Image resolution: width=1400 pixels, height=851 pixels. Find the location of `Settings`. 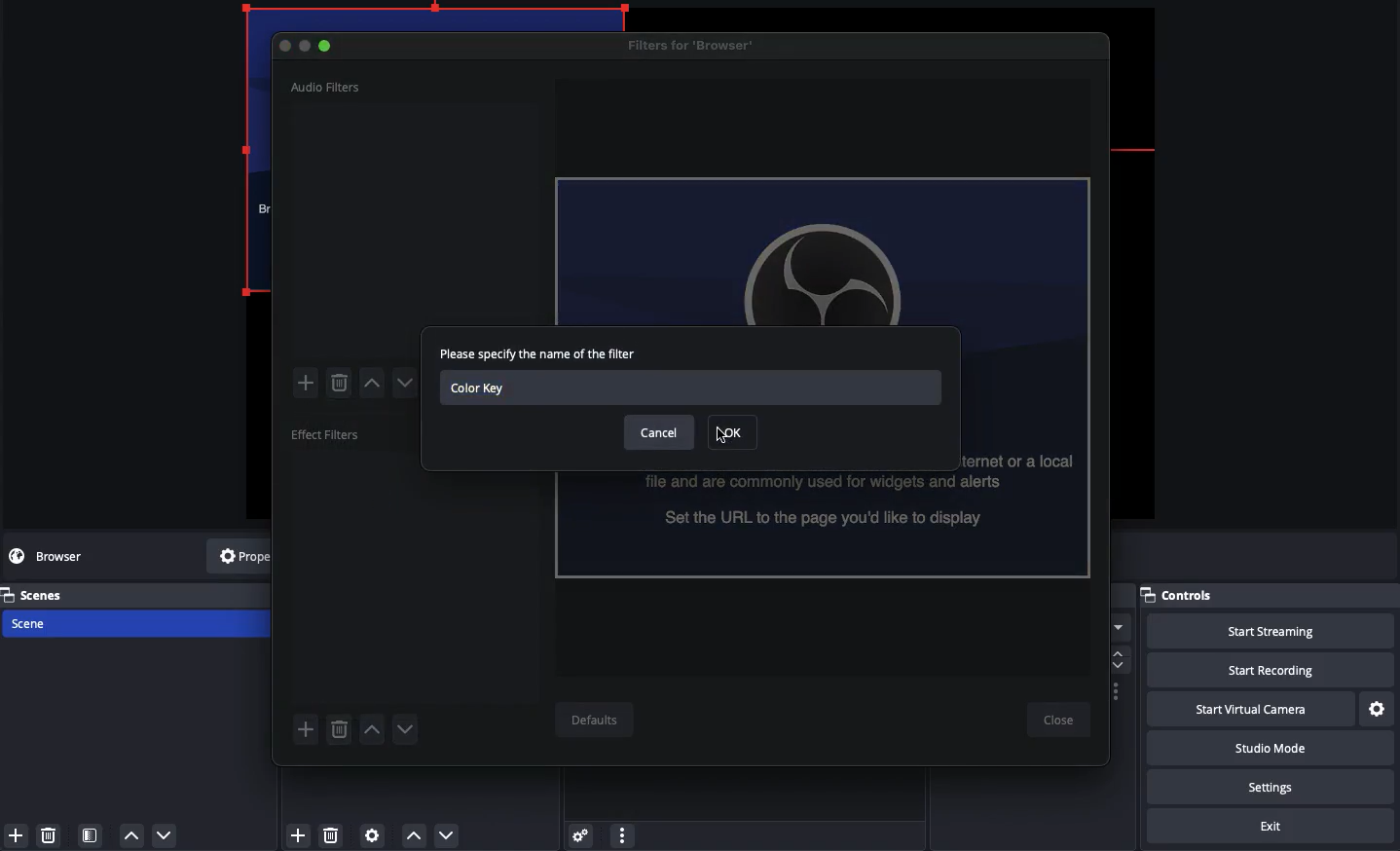

Settings is located at coordinates (1267, 787).